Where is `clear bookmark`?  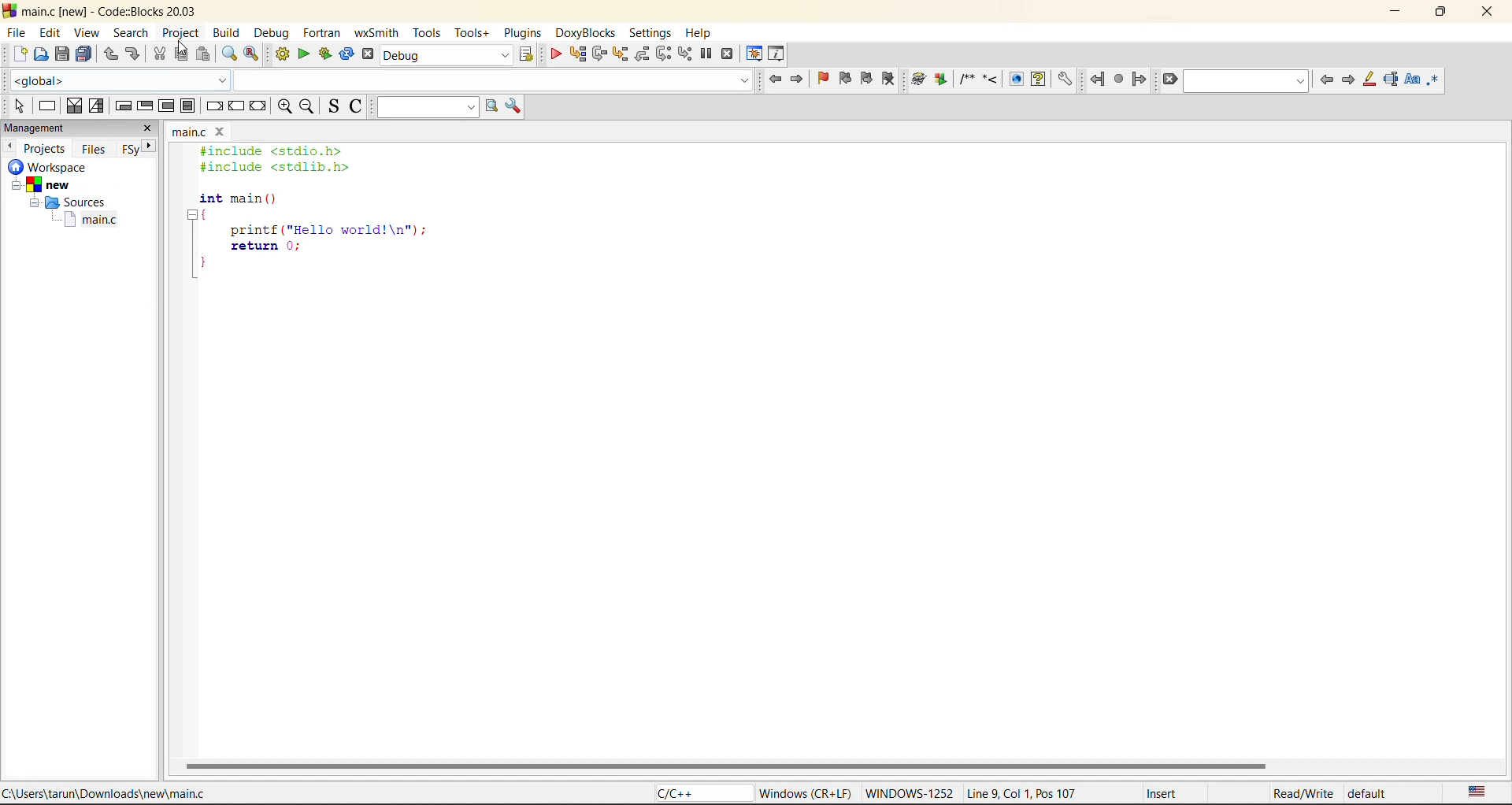 clear bookmark is located at coordinates (888, 78).